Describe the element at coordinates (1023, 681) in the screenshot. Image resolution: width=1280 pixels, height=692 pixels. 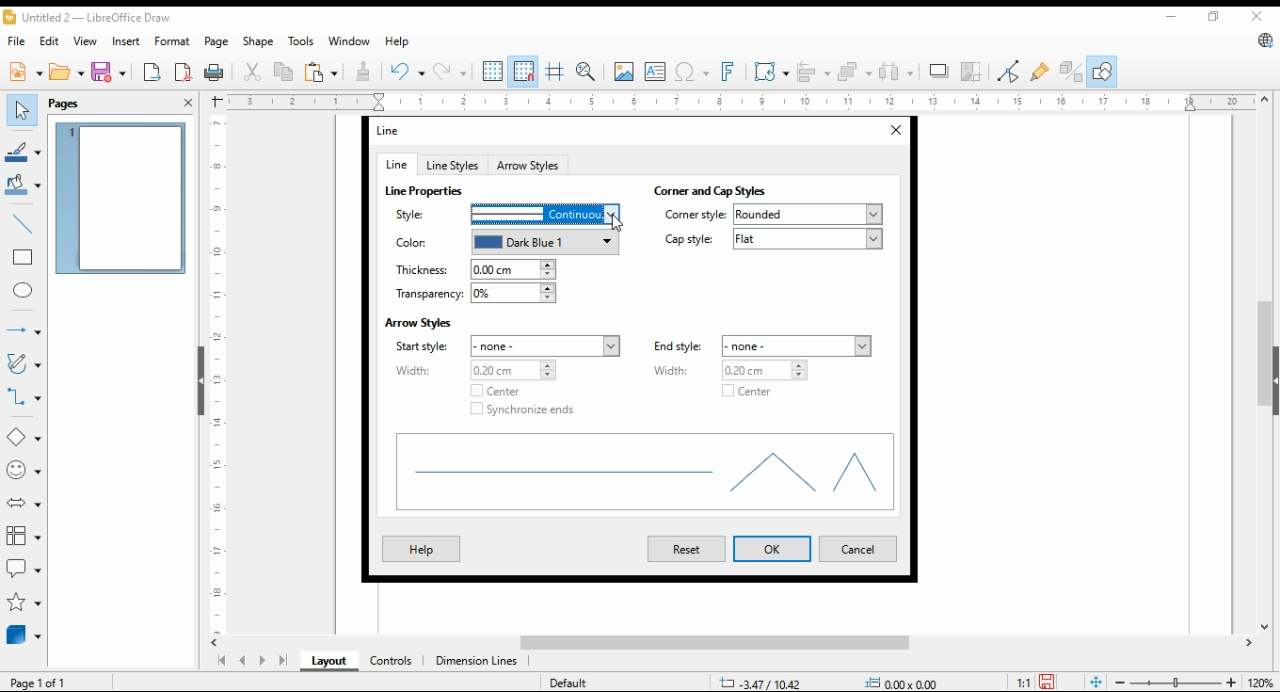
I see `1:1` at that location.